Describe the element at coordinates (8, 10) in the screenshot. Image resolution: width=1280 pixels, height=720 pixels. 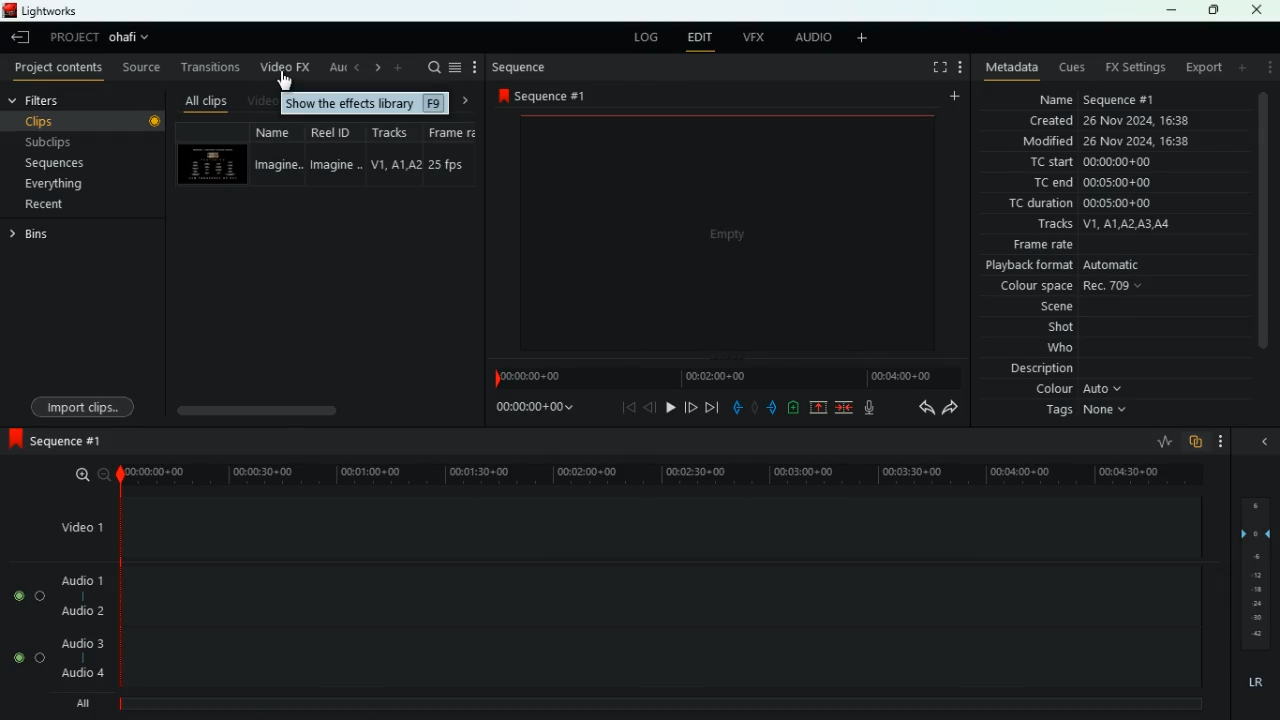
I see `lightworks logo` at that location.